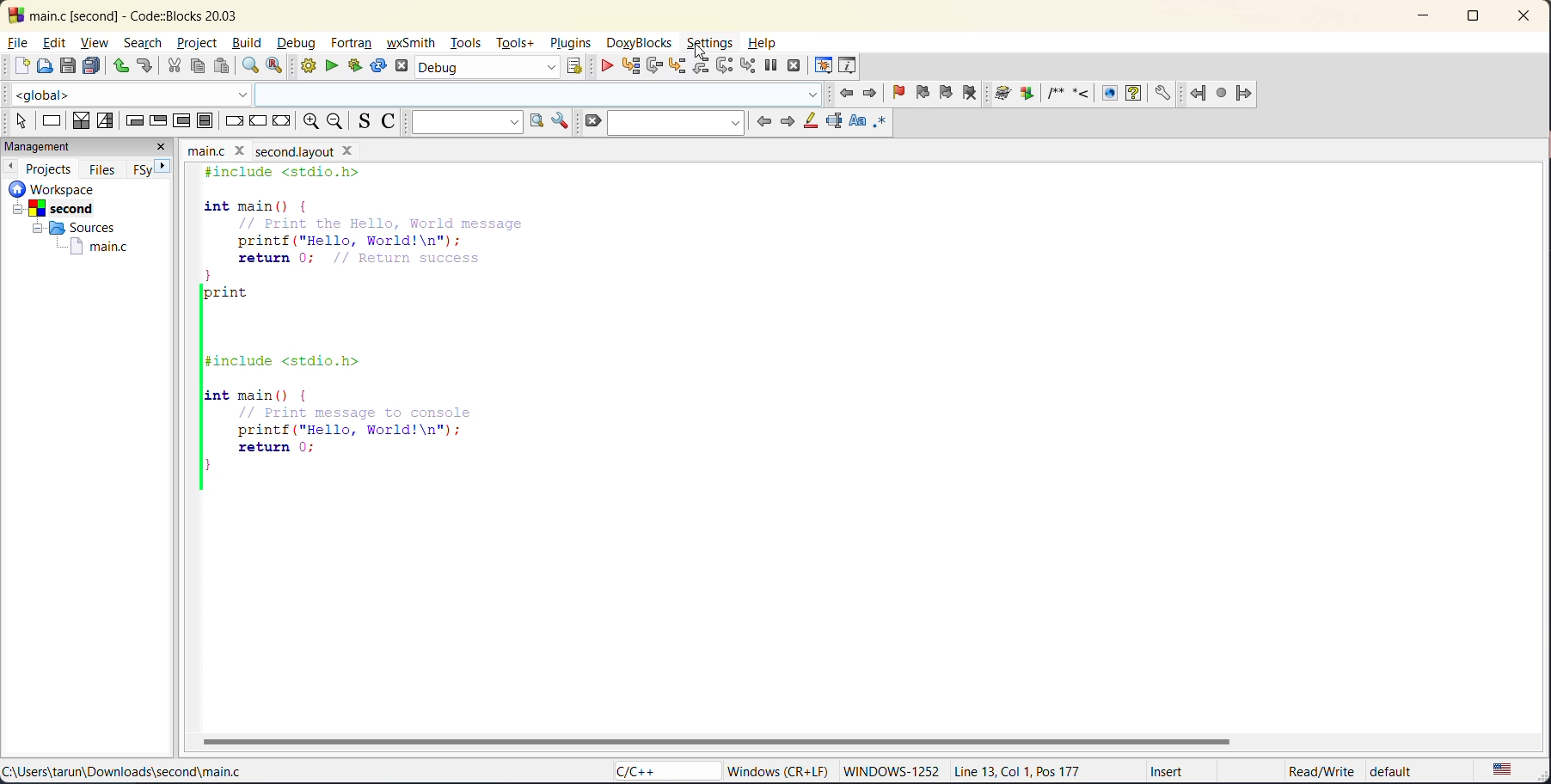 The width and height of the screenshot is (1551, 784). Describe the element at coordinates (1161, 774) in the screenshot. I see `Insert` at that location.